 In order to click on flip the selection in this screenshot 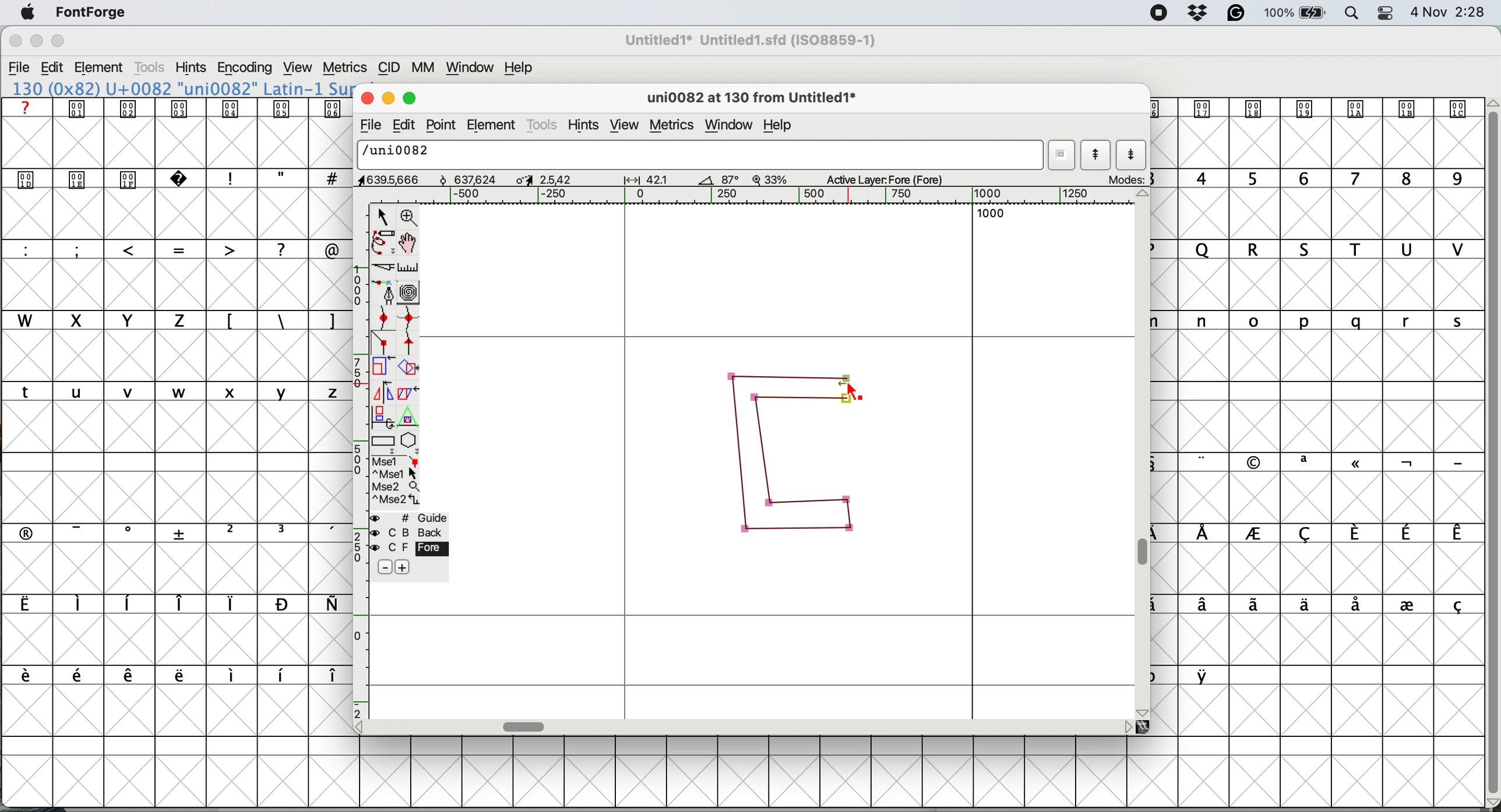, I will do `click(381, 393)`.